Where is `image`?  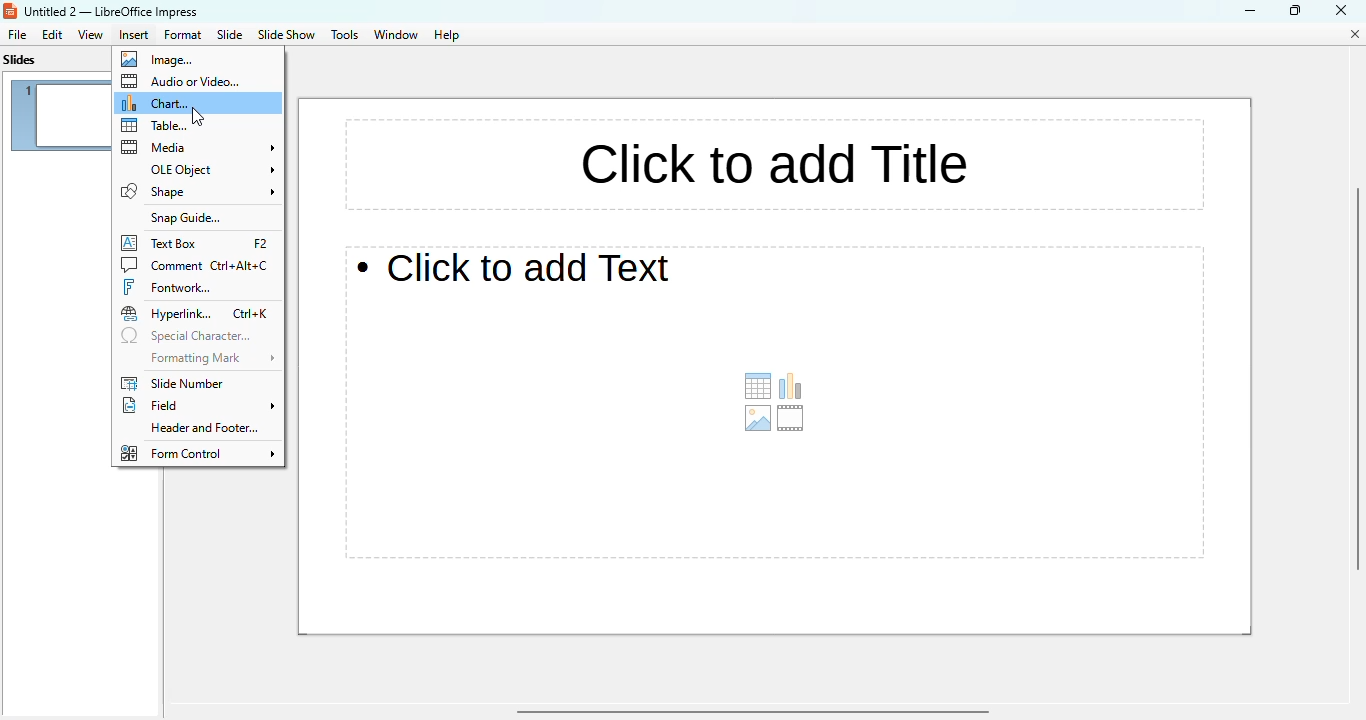 image is located at coordinates (156, 59).